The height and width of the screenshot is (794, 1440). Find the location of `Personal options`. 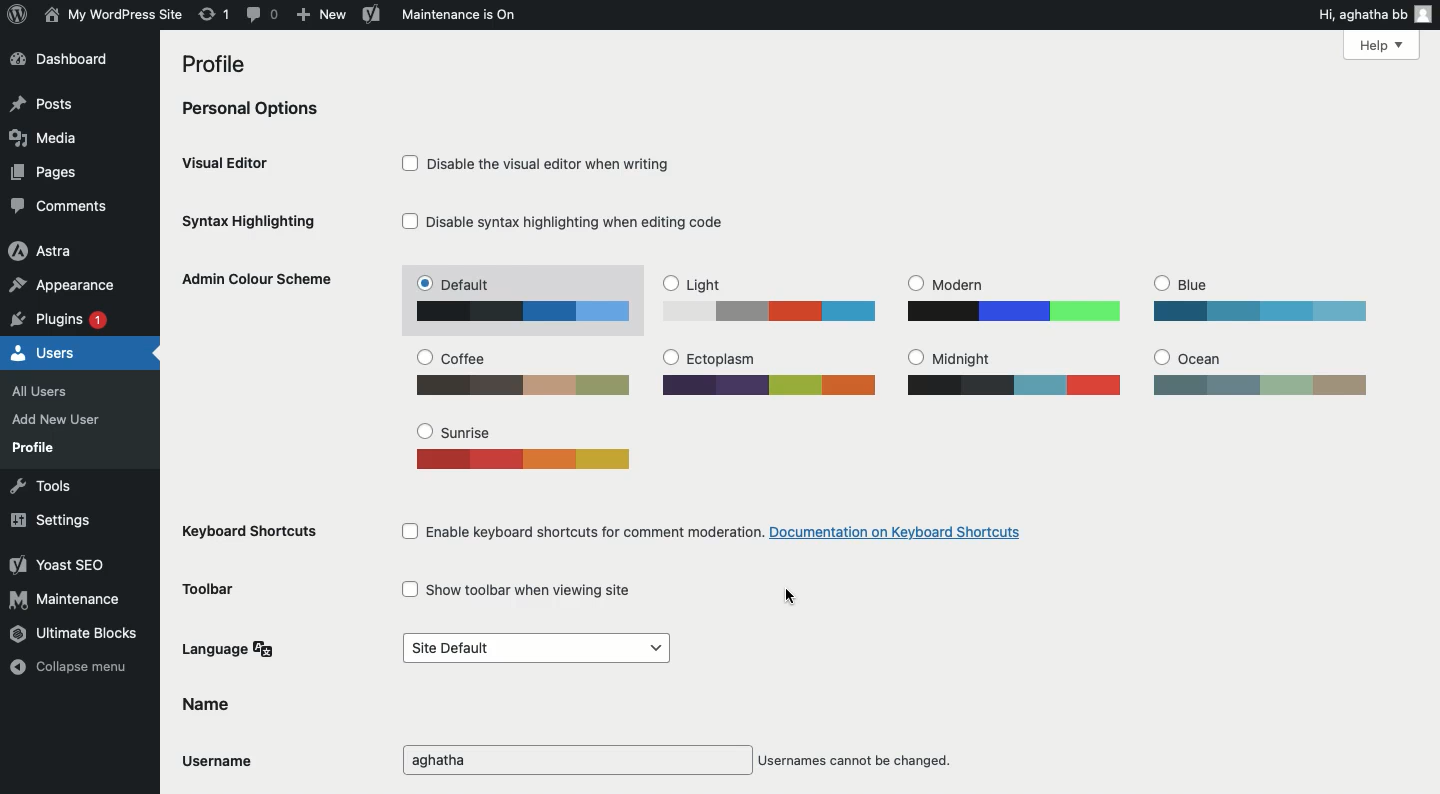

Personal options is located at coordinates (253, 111).